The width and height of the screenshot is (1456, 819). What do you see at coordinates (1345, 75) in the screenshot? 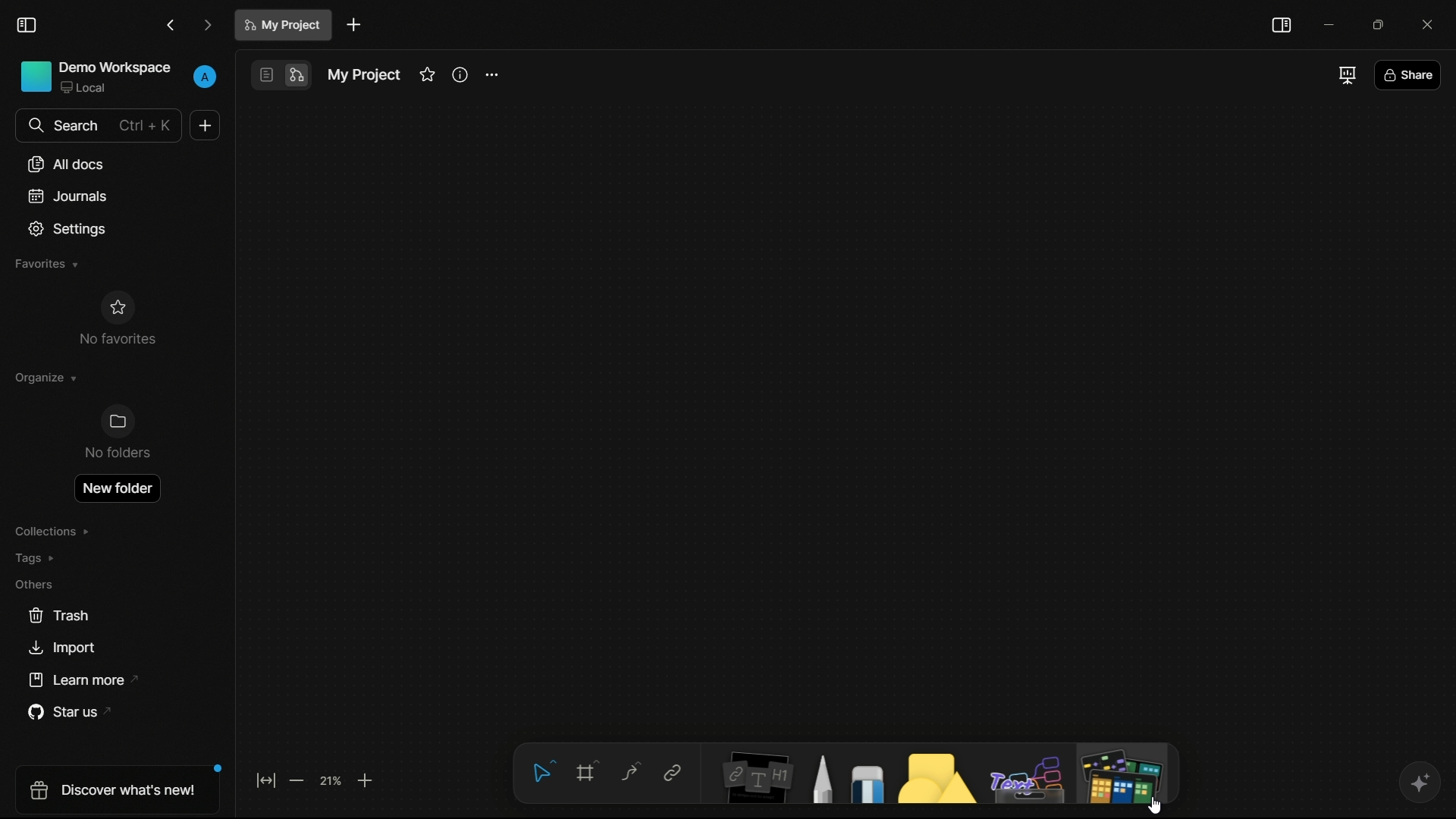
I see `full screen` at bounding box center [1345, 75].